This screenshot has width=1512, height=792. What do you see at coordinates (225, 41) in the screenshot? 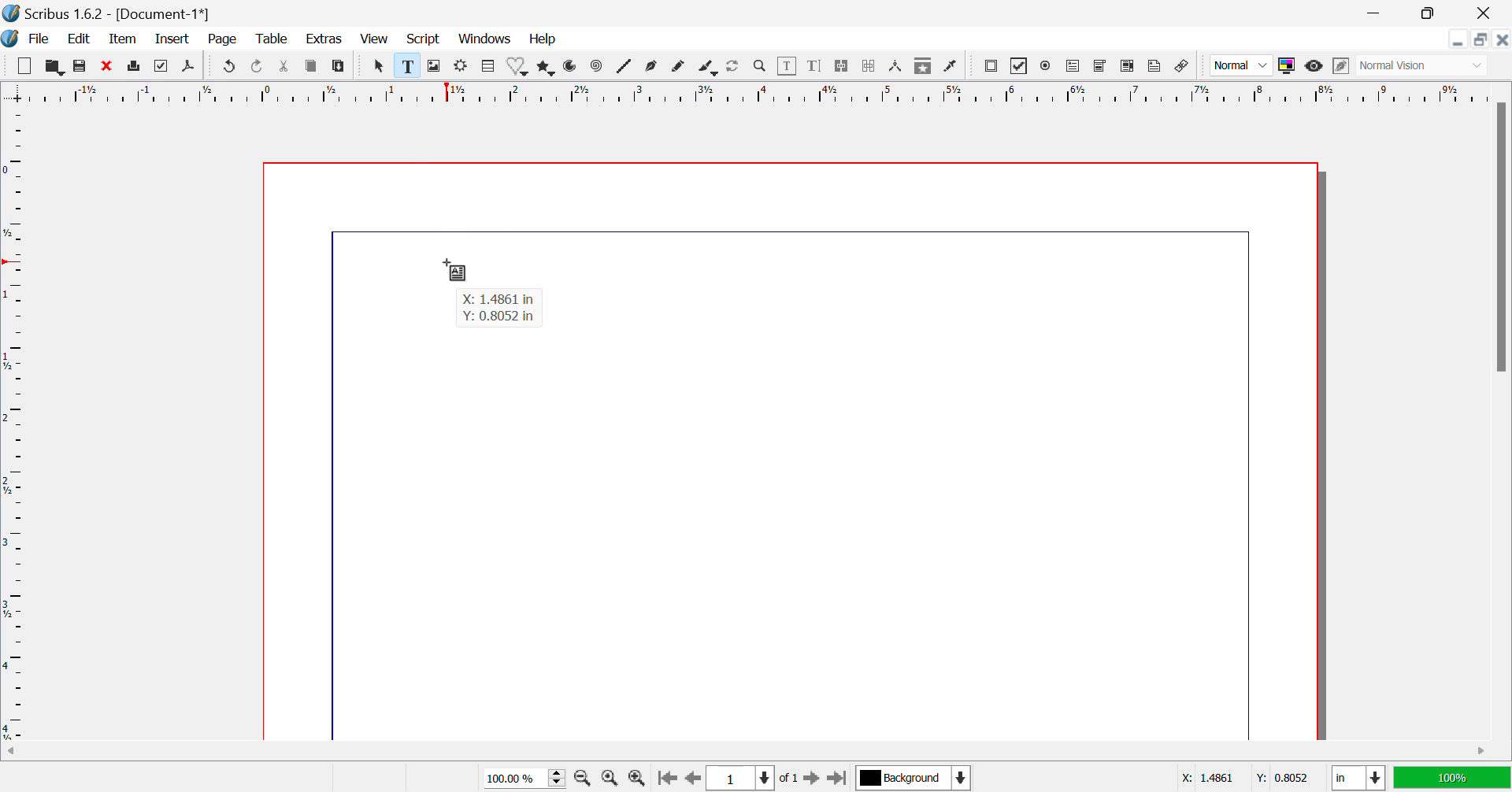
I see `Page` at bounding box center [225, 41].